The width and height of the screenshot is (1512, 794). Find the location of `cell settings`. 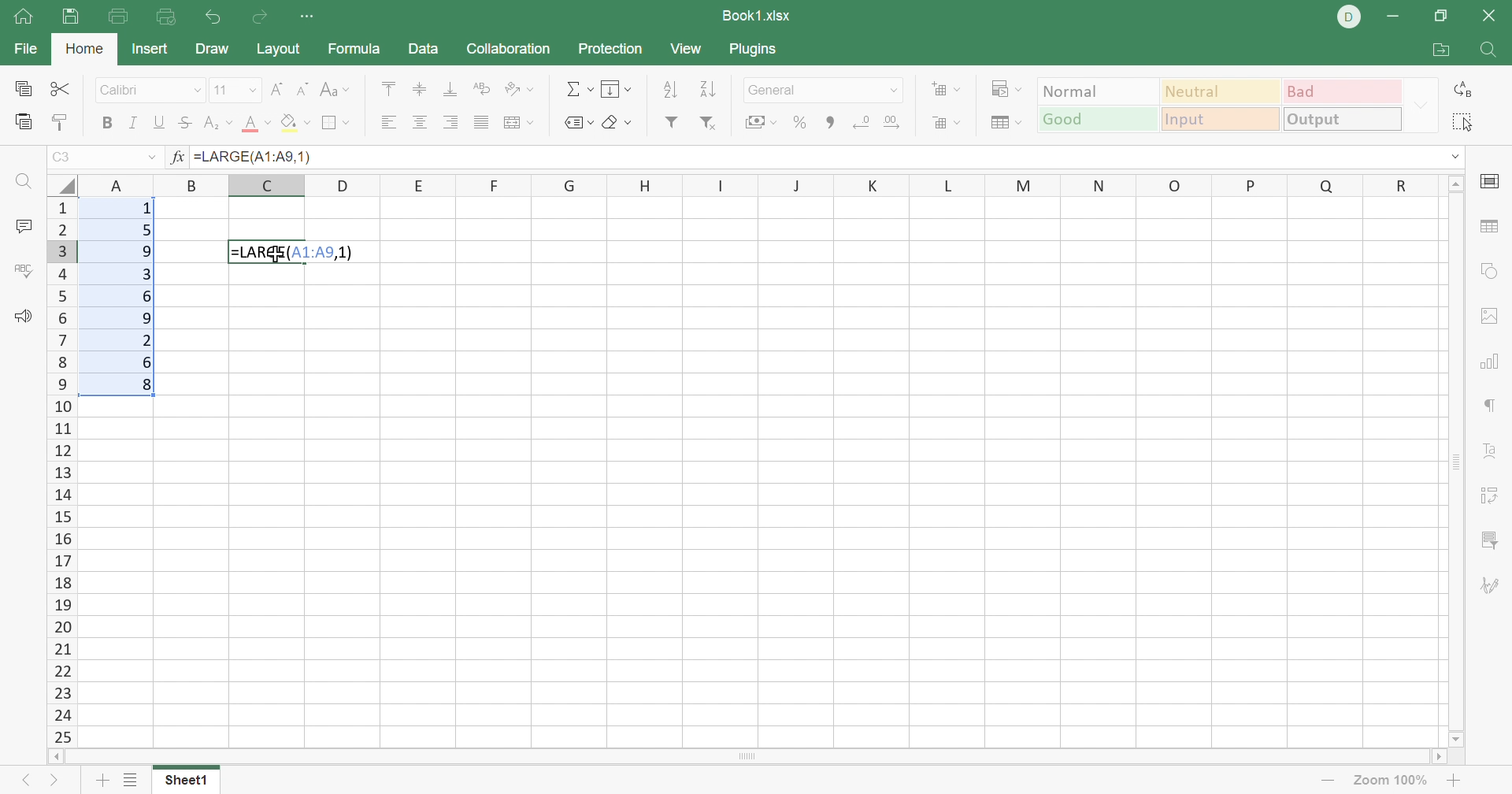

cell settings is located at coordinates (1491, 183).